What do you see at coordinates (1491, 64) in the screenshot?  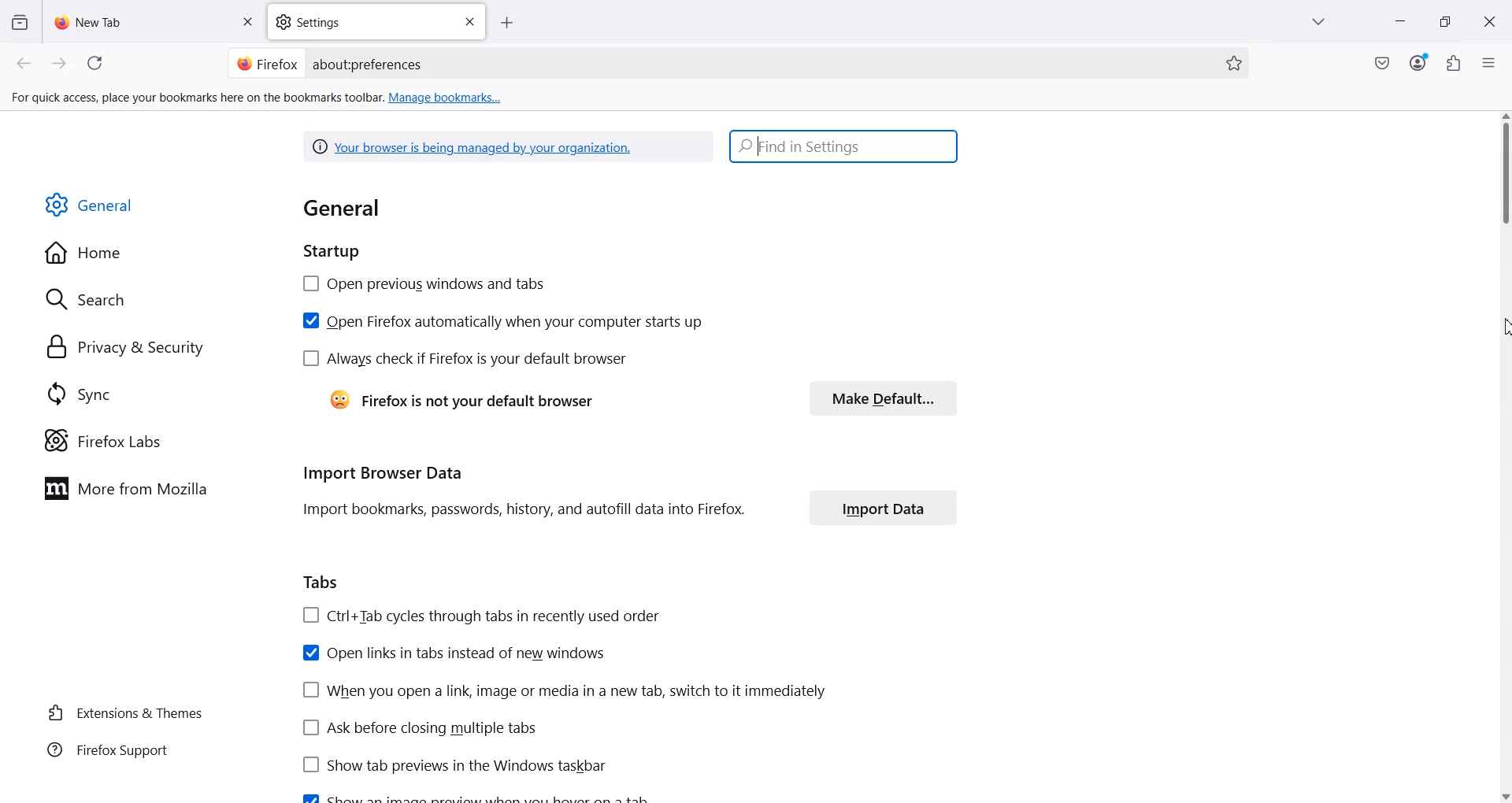 I see `Hamburger menu` at bounding box center [1491, 64].